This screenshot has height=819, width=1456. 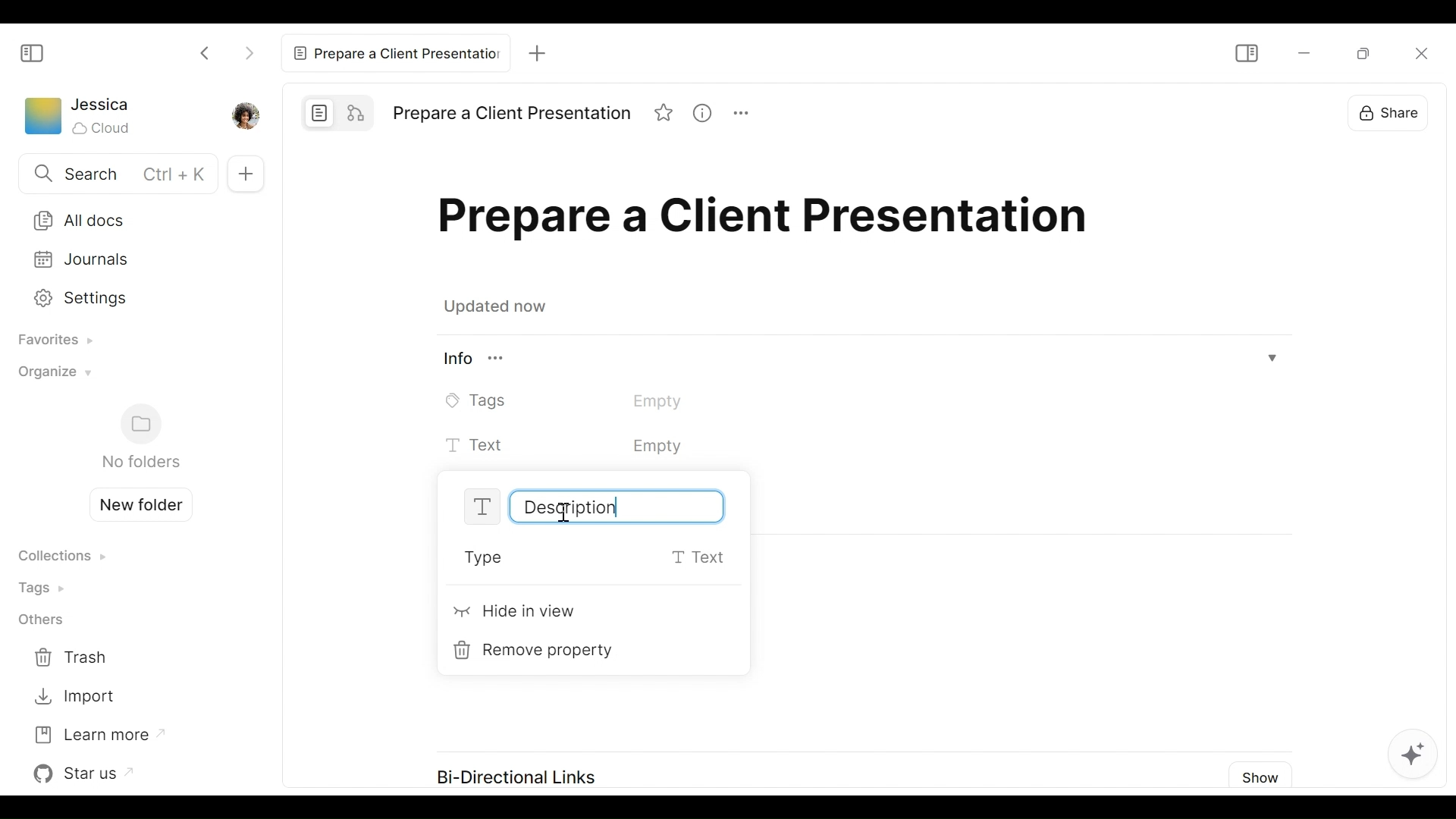 I want to click on Import, so click(x=74, y=697).